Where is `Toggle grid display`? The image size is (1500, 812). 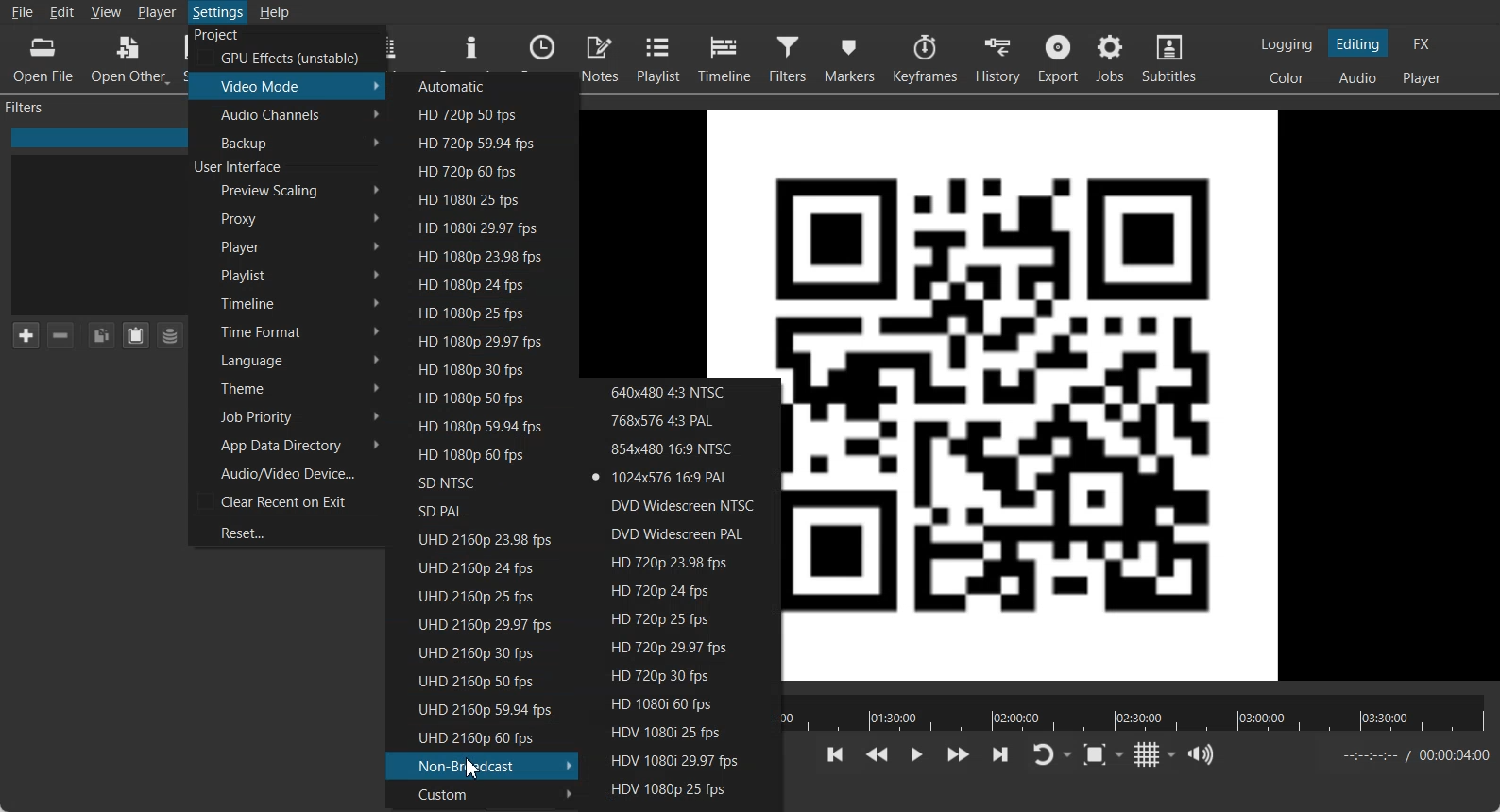
Toggle grid display is located at coordinates (1156, 754).